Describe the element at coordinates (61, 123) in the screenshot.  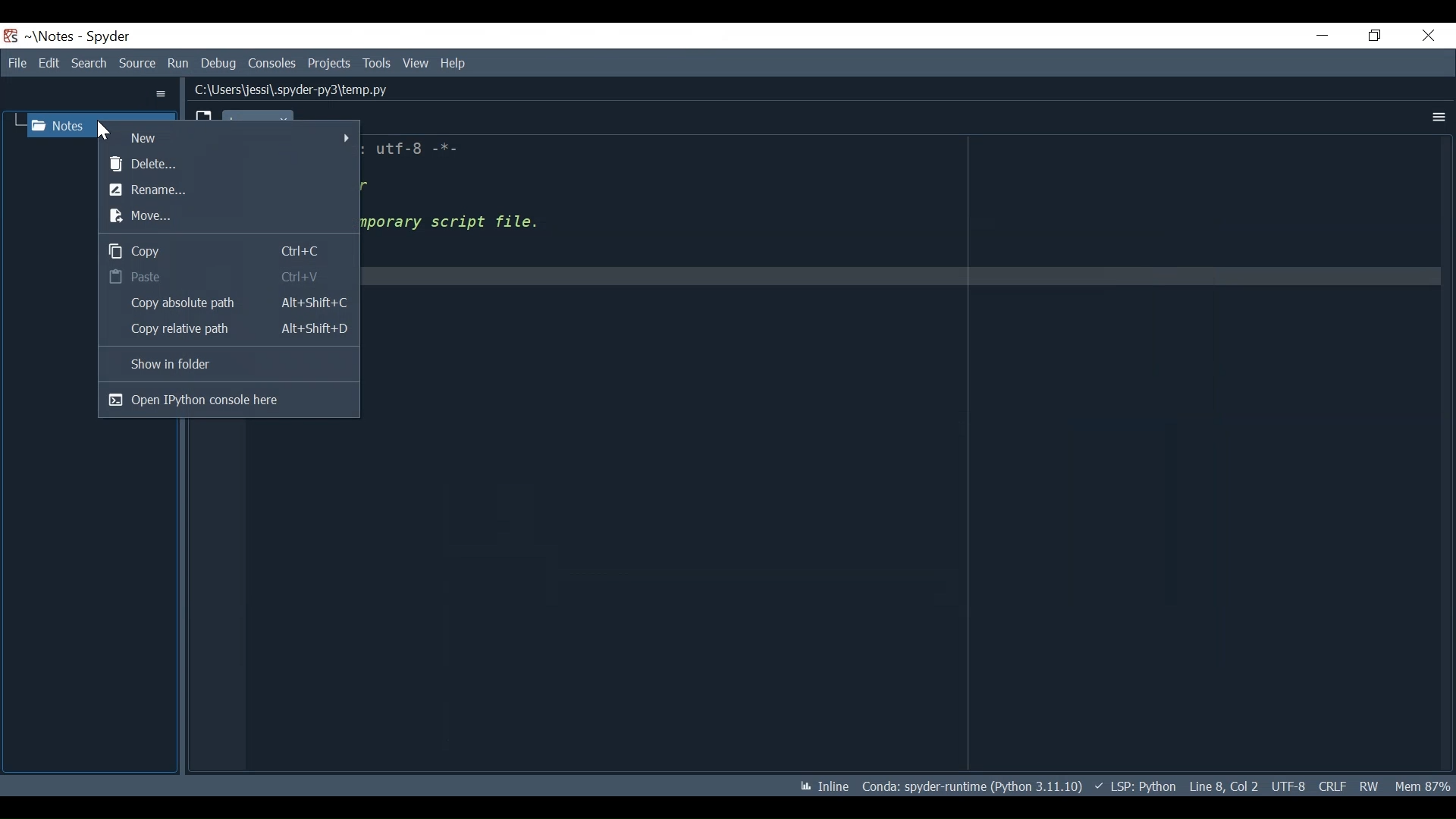
I see `Notes` at that location.